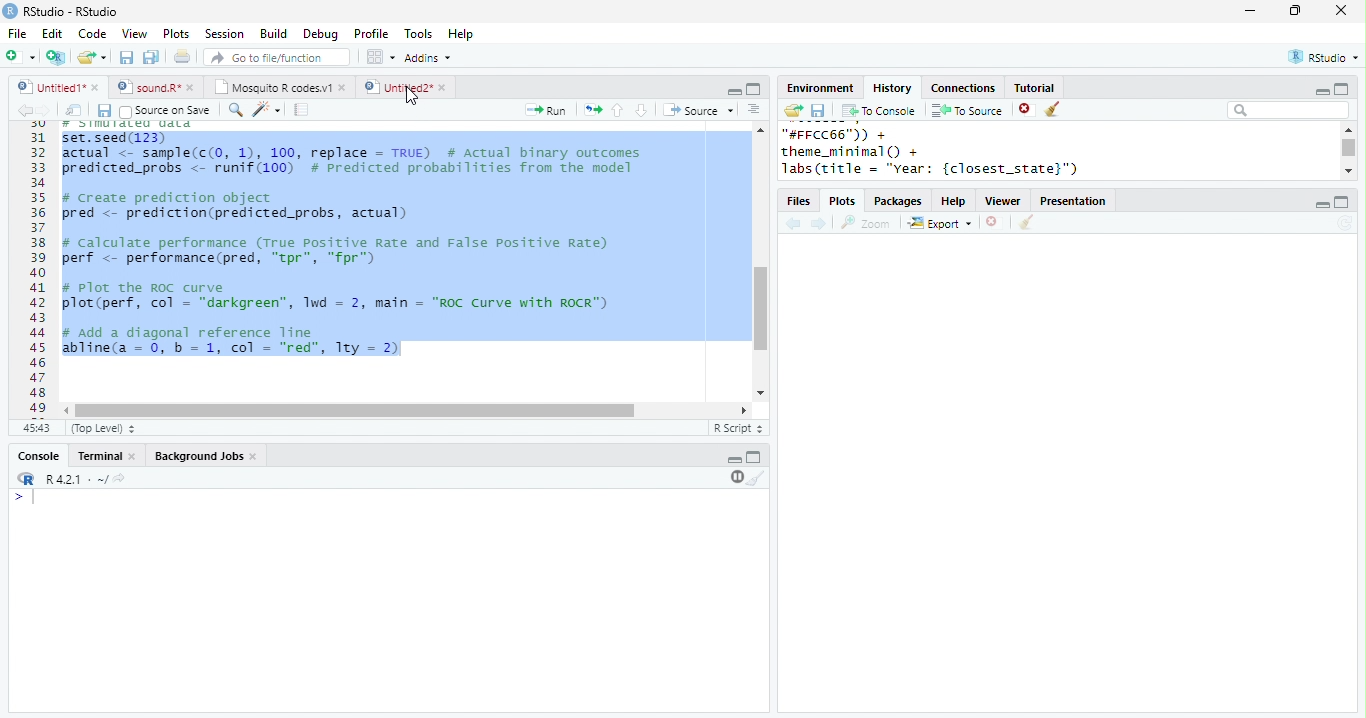 The image size is (1366, 718). Describe the element at coordinates (1340, 88) in the screenshot. I see `maximize` at that location.